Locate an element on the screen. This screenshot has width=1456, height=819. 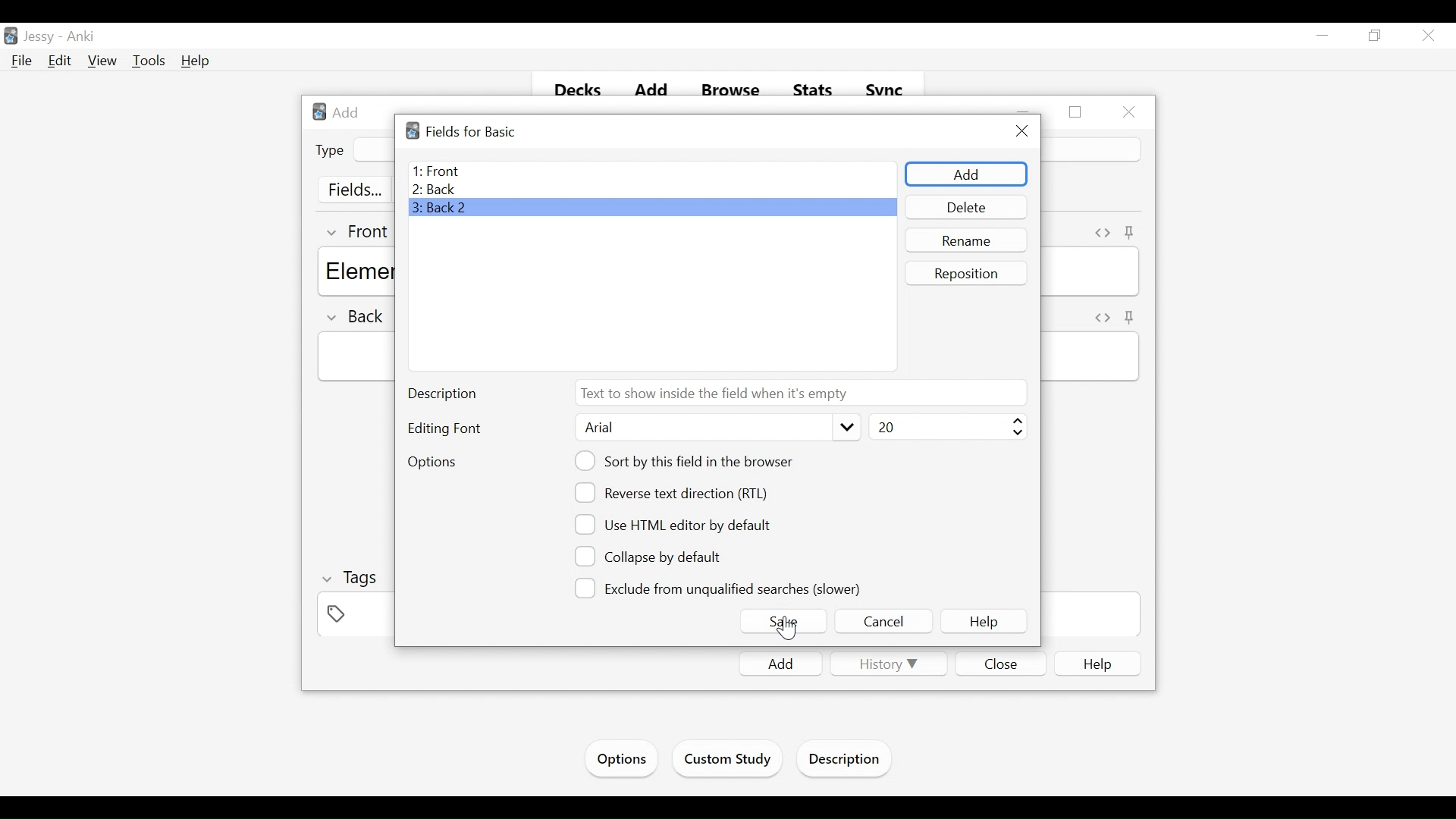
Text to show inside the field when it is empty is located at coordinates (799, 392).